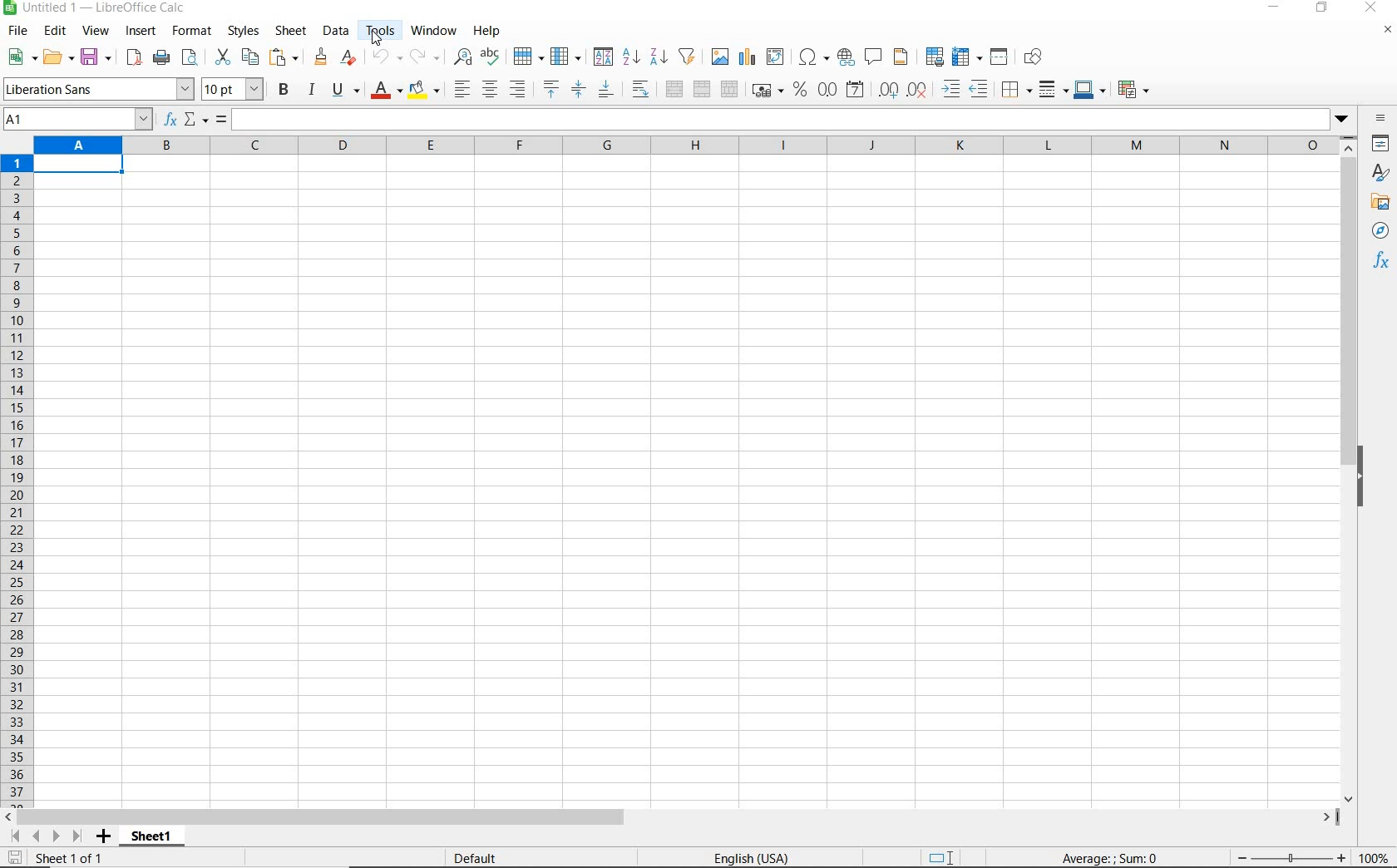 The image size is (1397, 868). What do you see at coordinates (1014, 89) in the screenshot?
I see `borders` at bounding box center [1014, 89].